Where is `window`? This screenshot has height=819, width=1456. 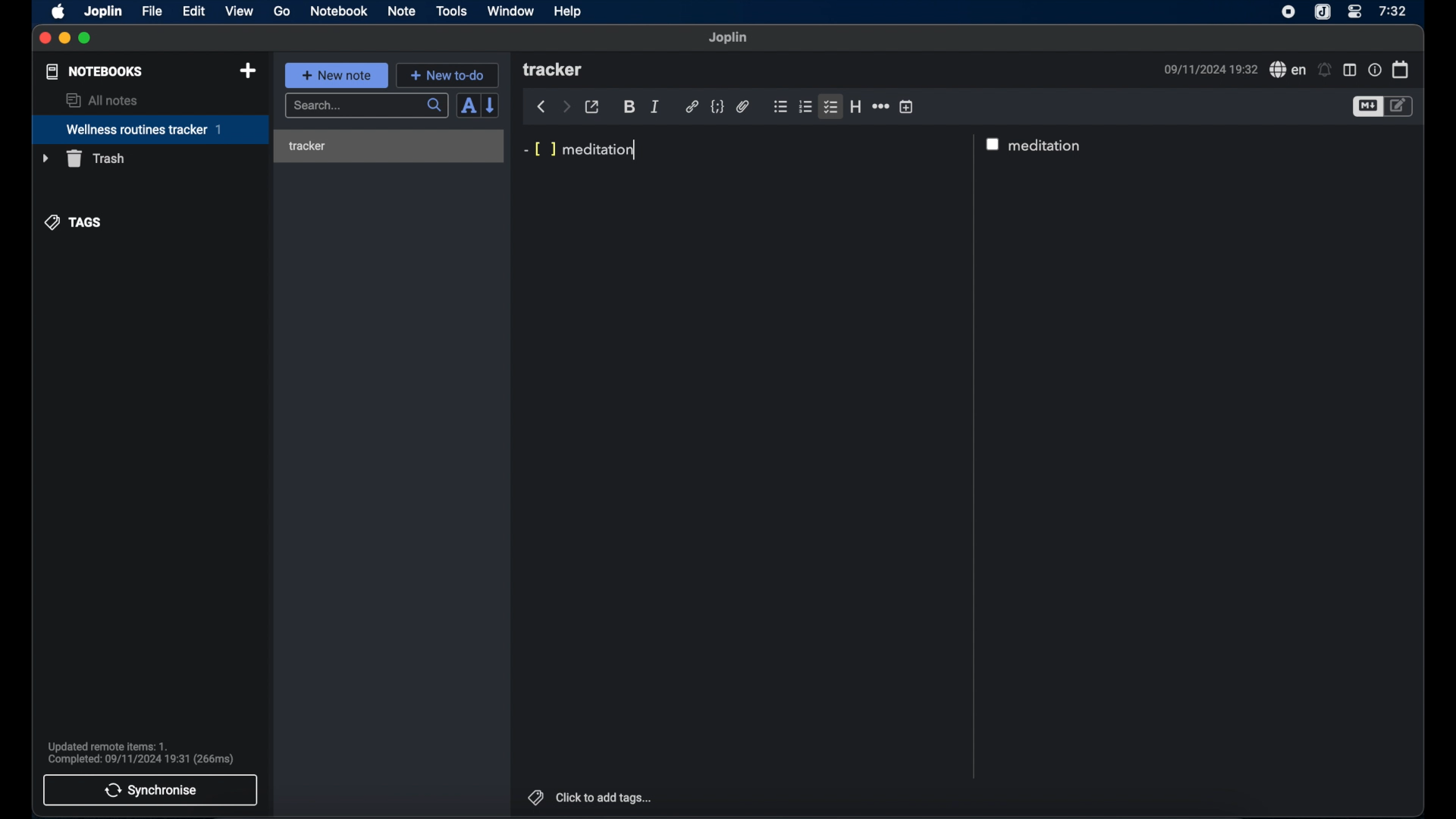
window is located at coordinates (511, 11).